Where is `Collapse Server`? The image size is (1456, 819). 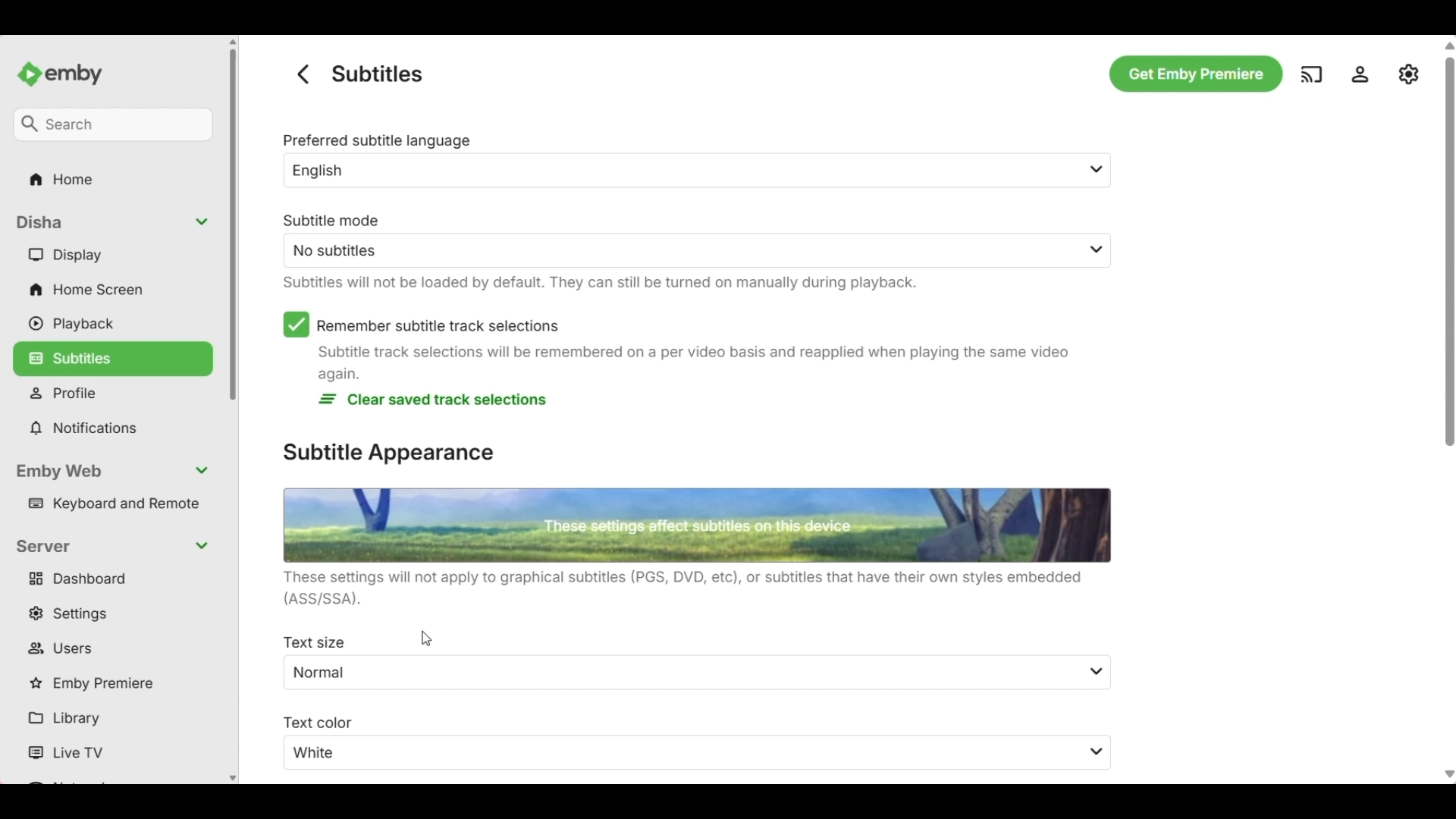
Collapse Server is located at coordinates (114, 547).